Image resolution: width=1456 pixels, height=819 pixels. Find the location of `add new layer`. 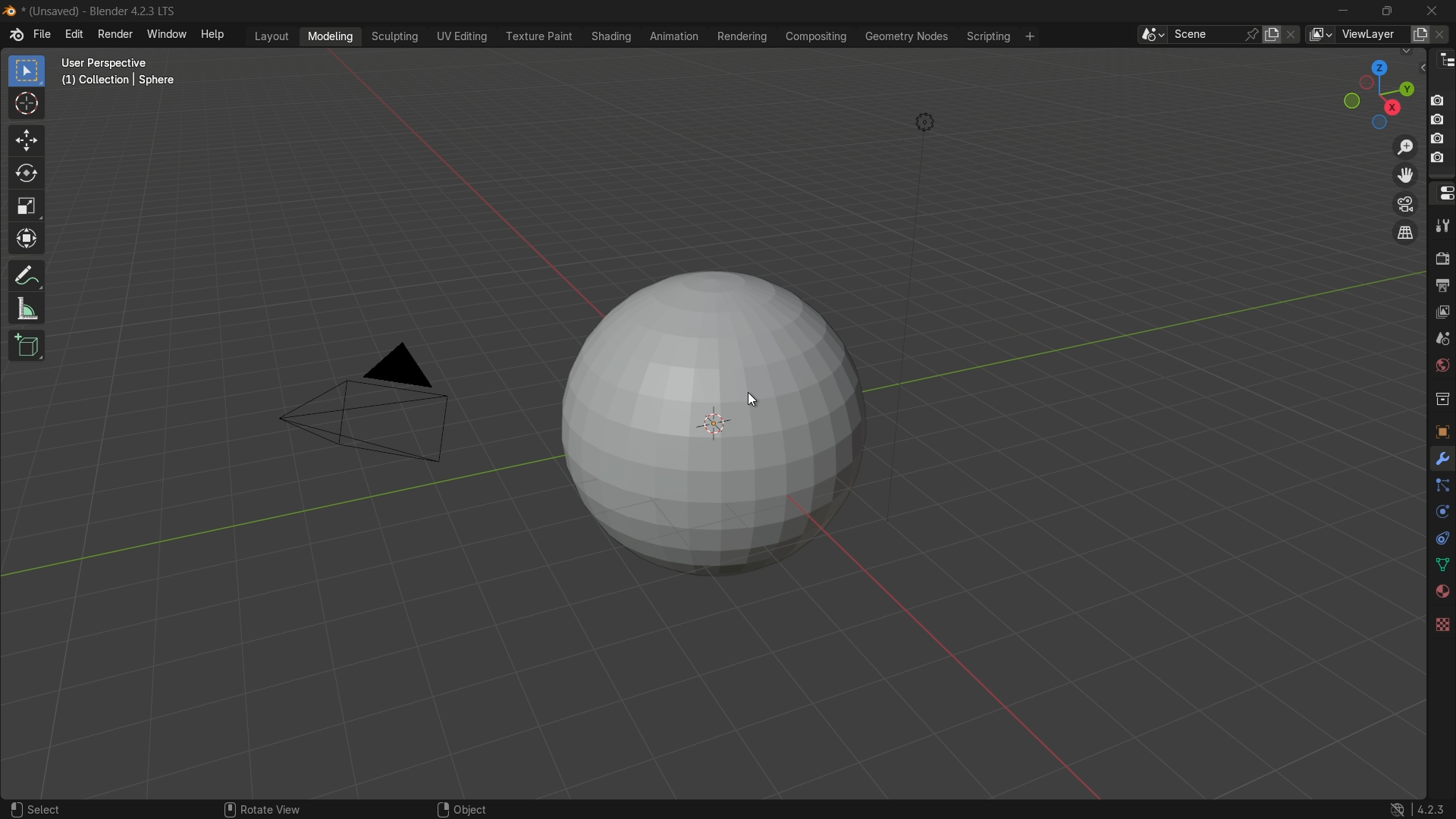

add new layer is located at coordinates (1420, 33).